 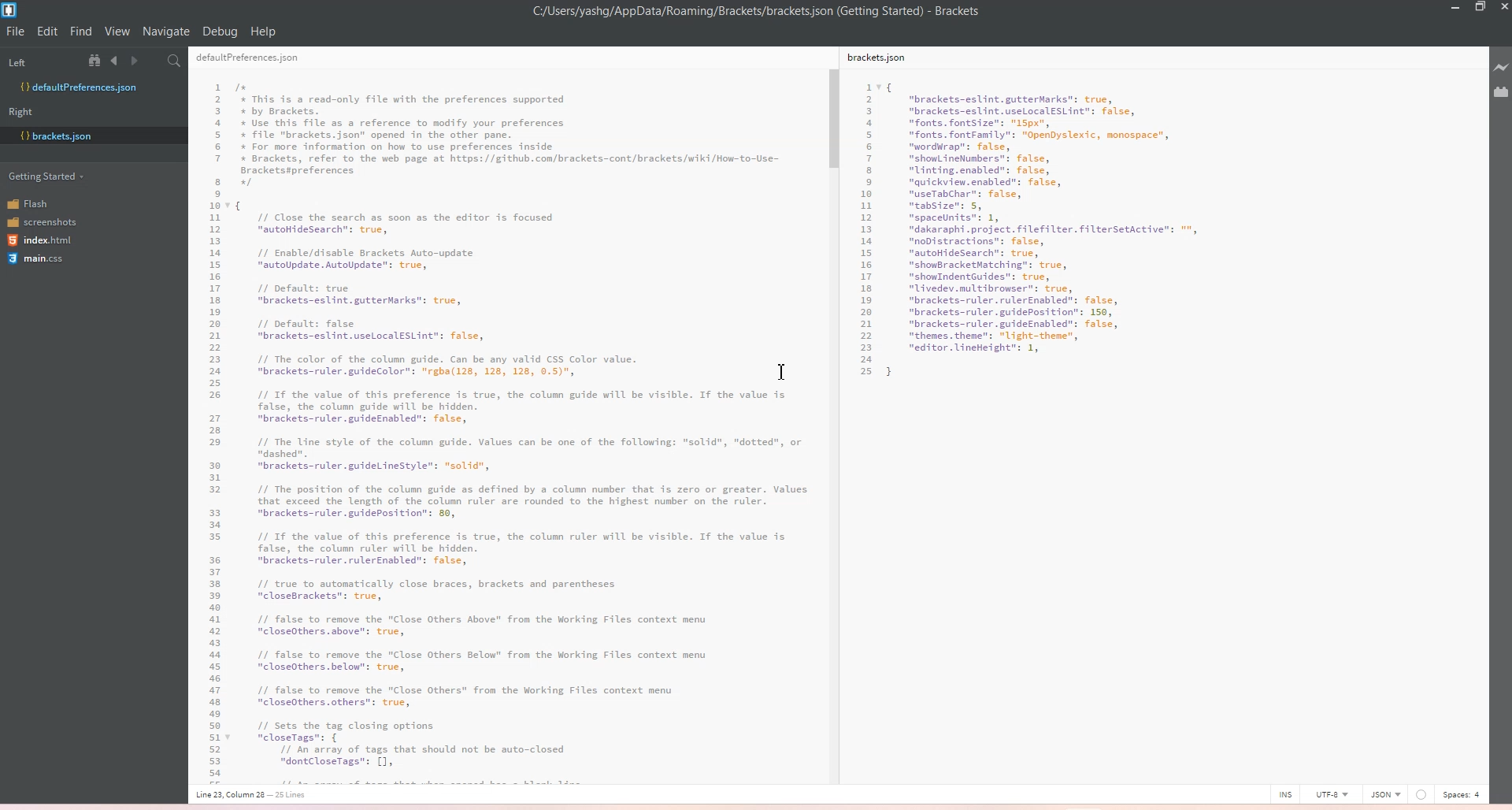 What do you see at coordinates (166, 32) in the screenshot?
I see `Navigate` at bounding box center [166, 32].